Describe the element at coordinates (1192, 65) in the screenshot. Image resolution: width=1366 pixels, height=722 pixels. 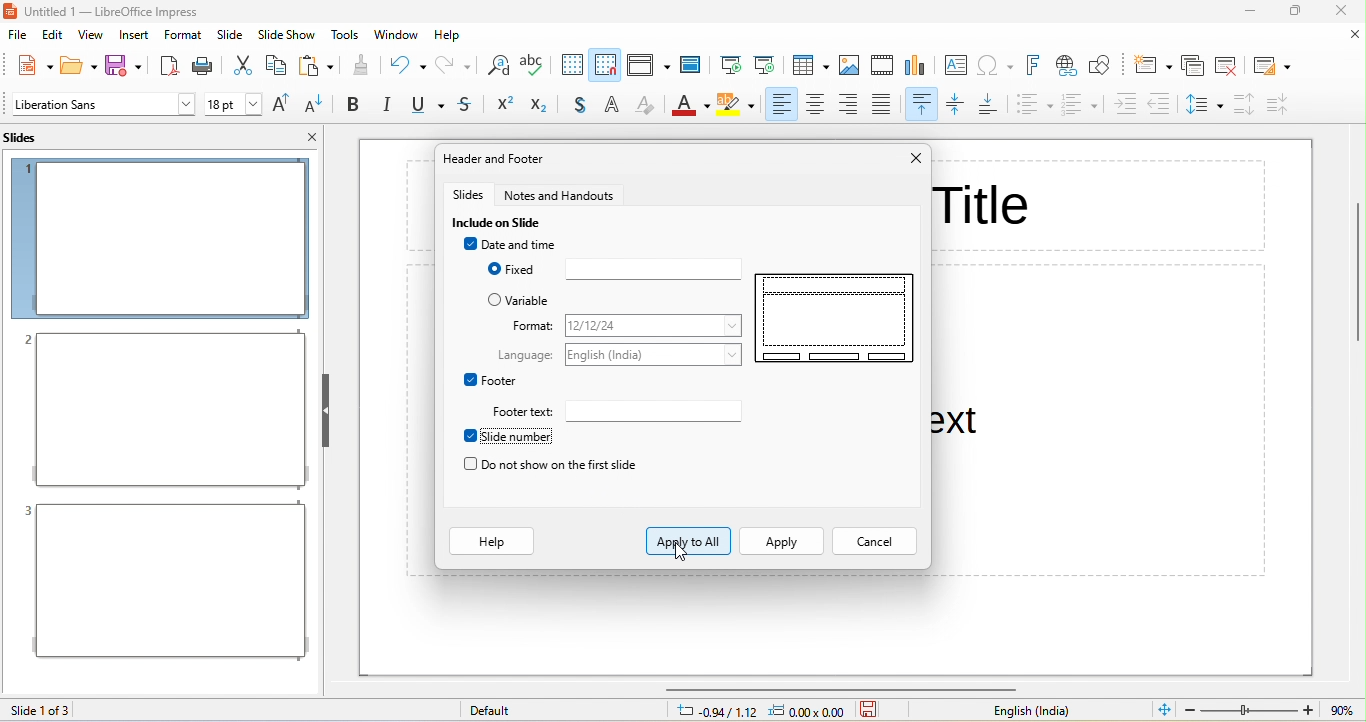
I see `duplicate slide` at that location.